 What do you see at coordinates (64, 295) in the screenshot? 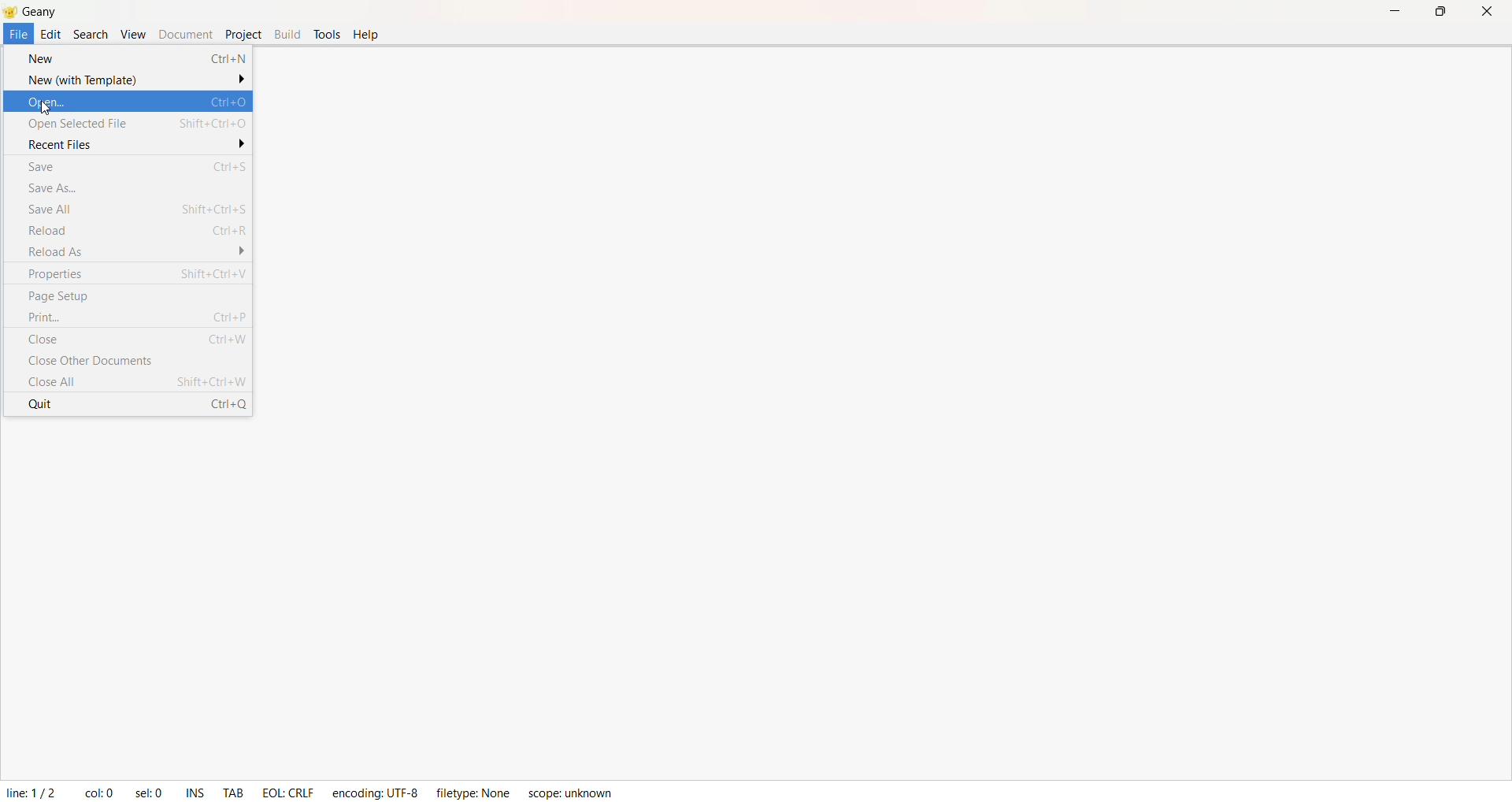
I see `Page Setup` at bounding box center [64, 295].